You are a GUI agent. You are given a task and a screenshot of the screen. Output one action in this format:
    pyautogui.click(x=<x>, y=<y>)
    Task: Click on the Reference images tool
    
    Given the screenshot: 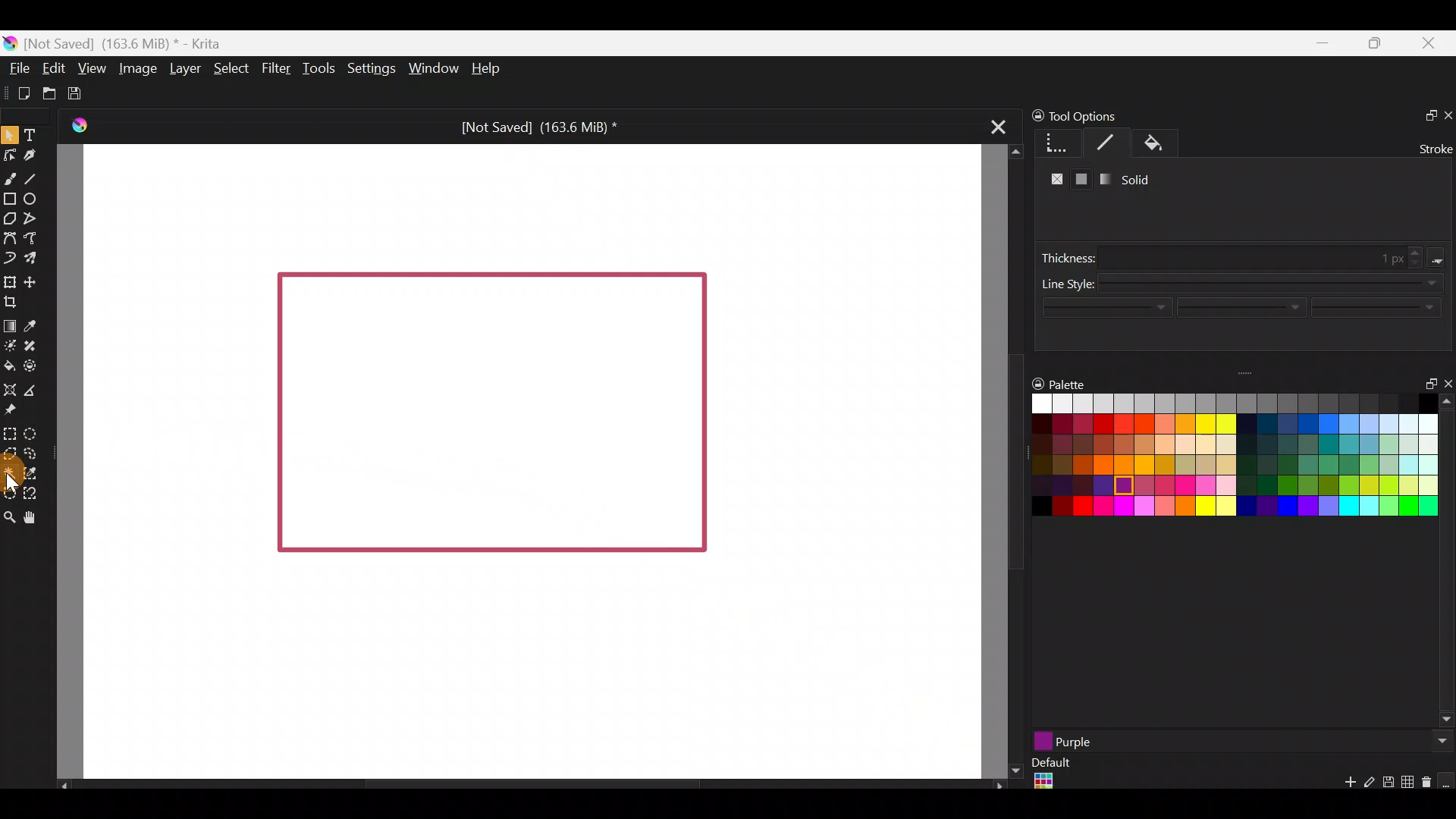 What is the action you would take?
    pyautogui.click(x=17, y=412)
    